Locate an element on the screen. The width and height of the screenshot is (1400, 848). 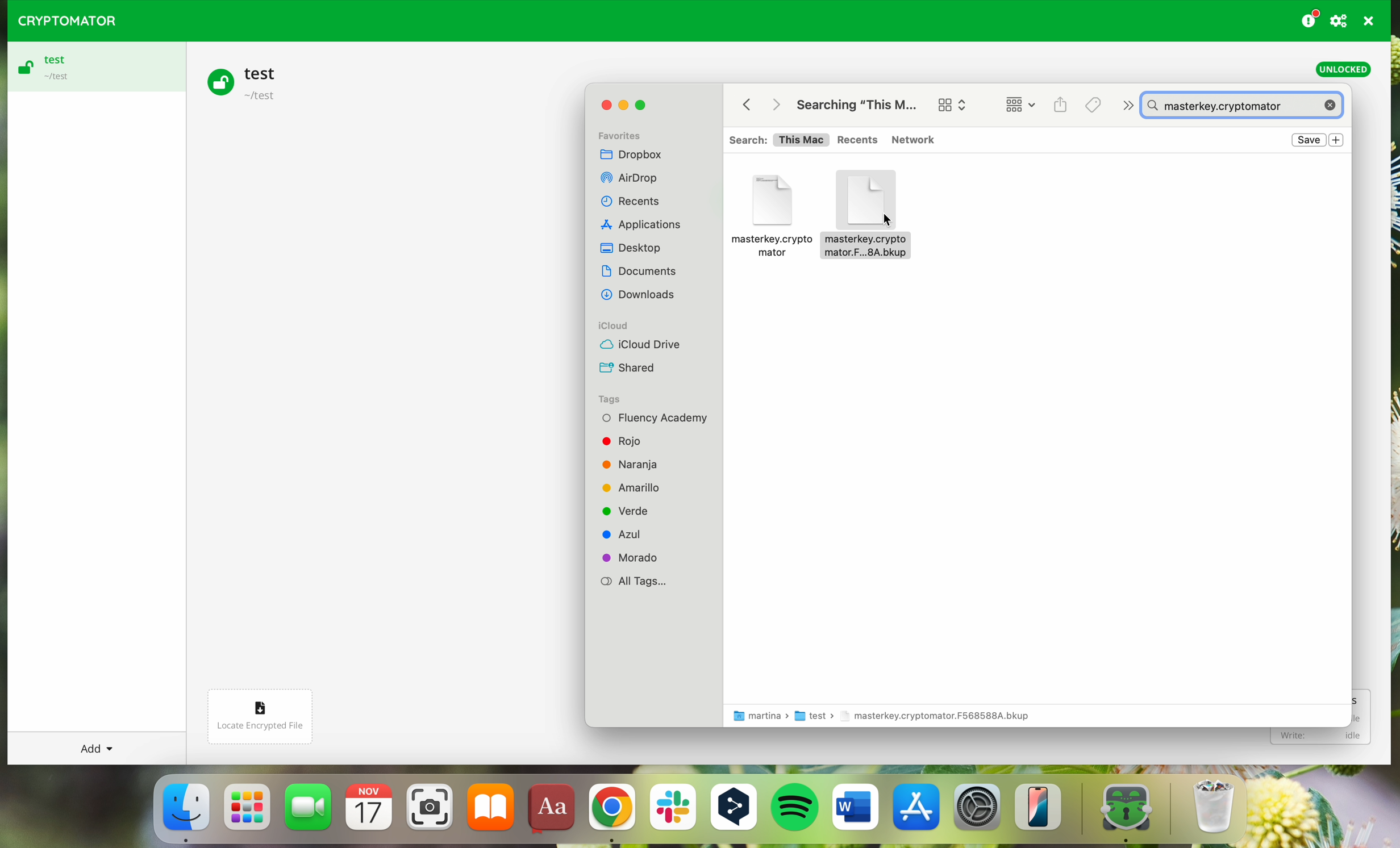
cryptomator app is located at coordinates (1118, 811).